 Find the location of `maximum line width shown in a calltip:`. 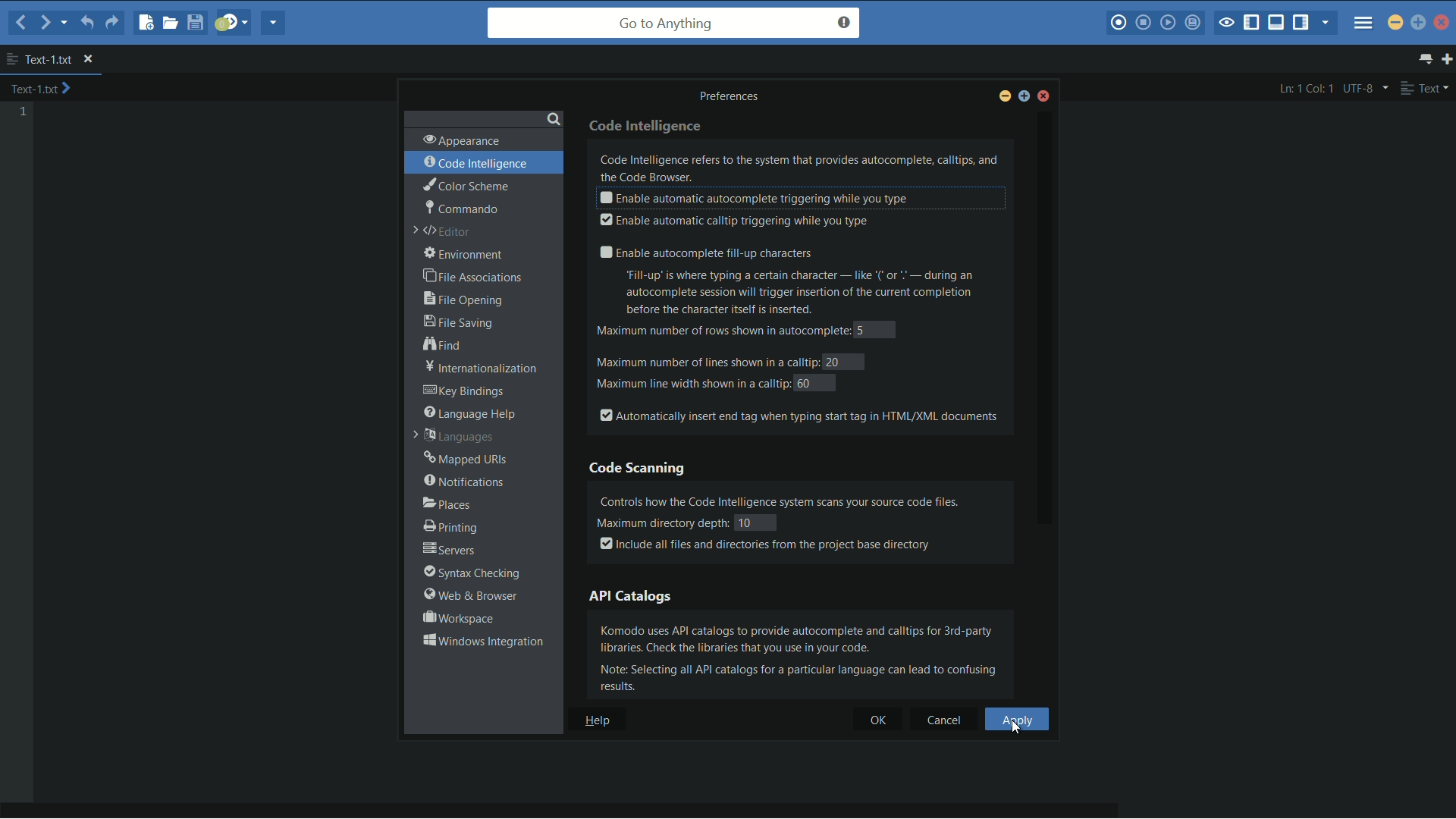

maximum line width shown in a calltip: is located at coordinates (691, 384).